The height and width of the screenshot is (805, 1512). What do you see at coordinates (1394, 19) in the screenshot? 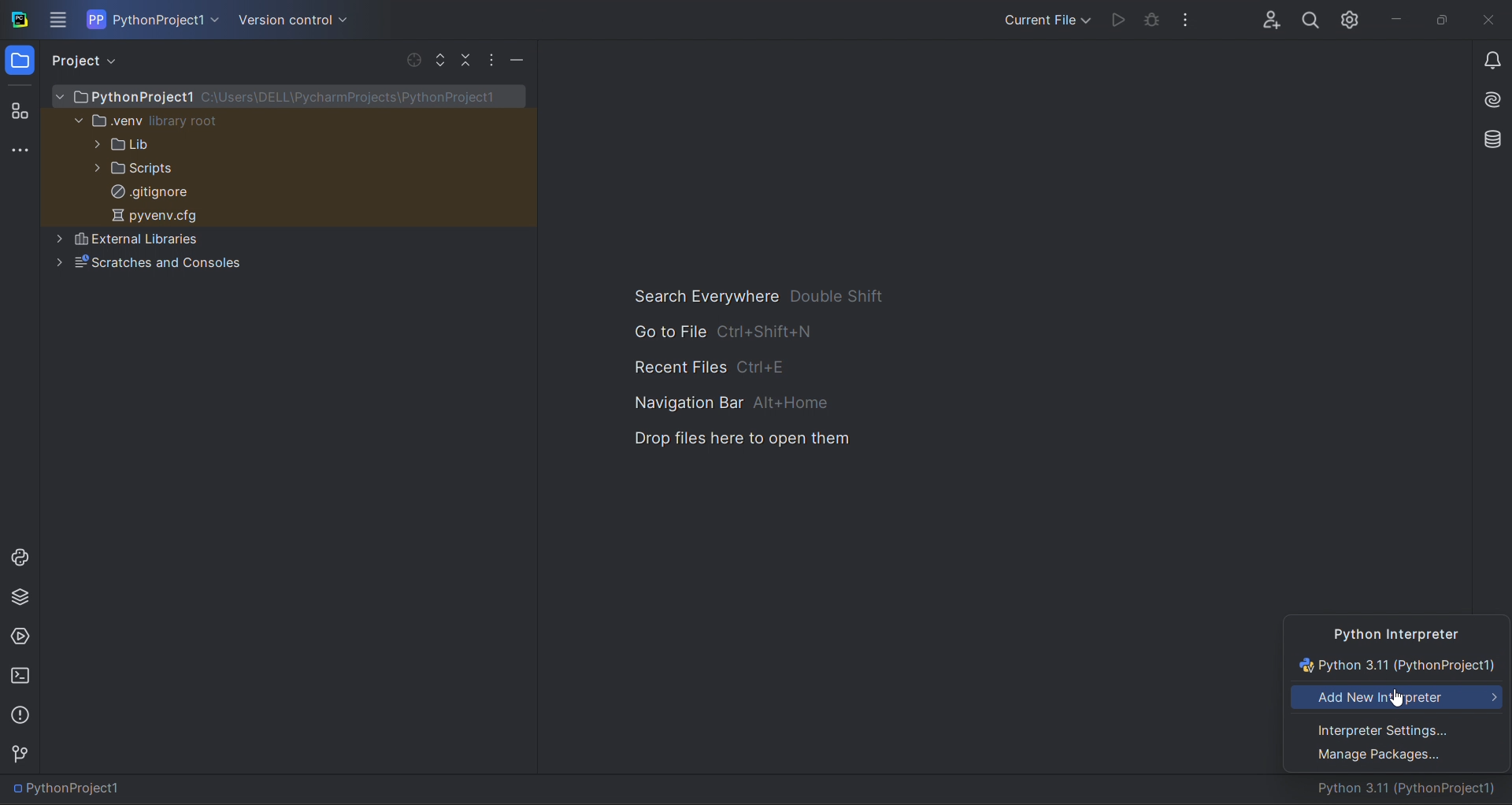
I see `minimize` at bounding box center [1394, 19].